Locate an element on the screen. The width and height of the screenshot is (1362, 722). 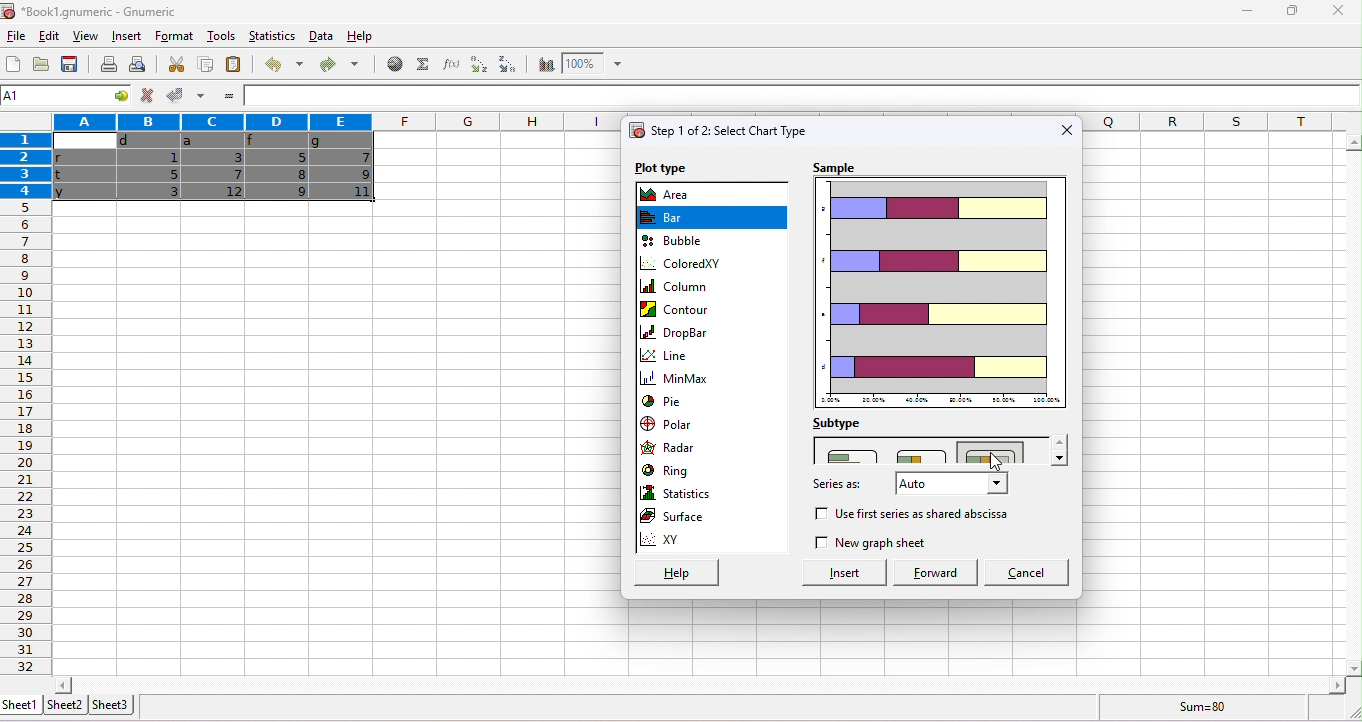
cells dragged is located at coordinates (215, 171).